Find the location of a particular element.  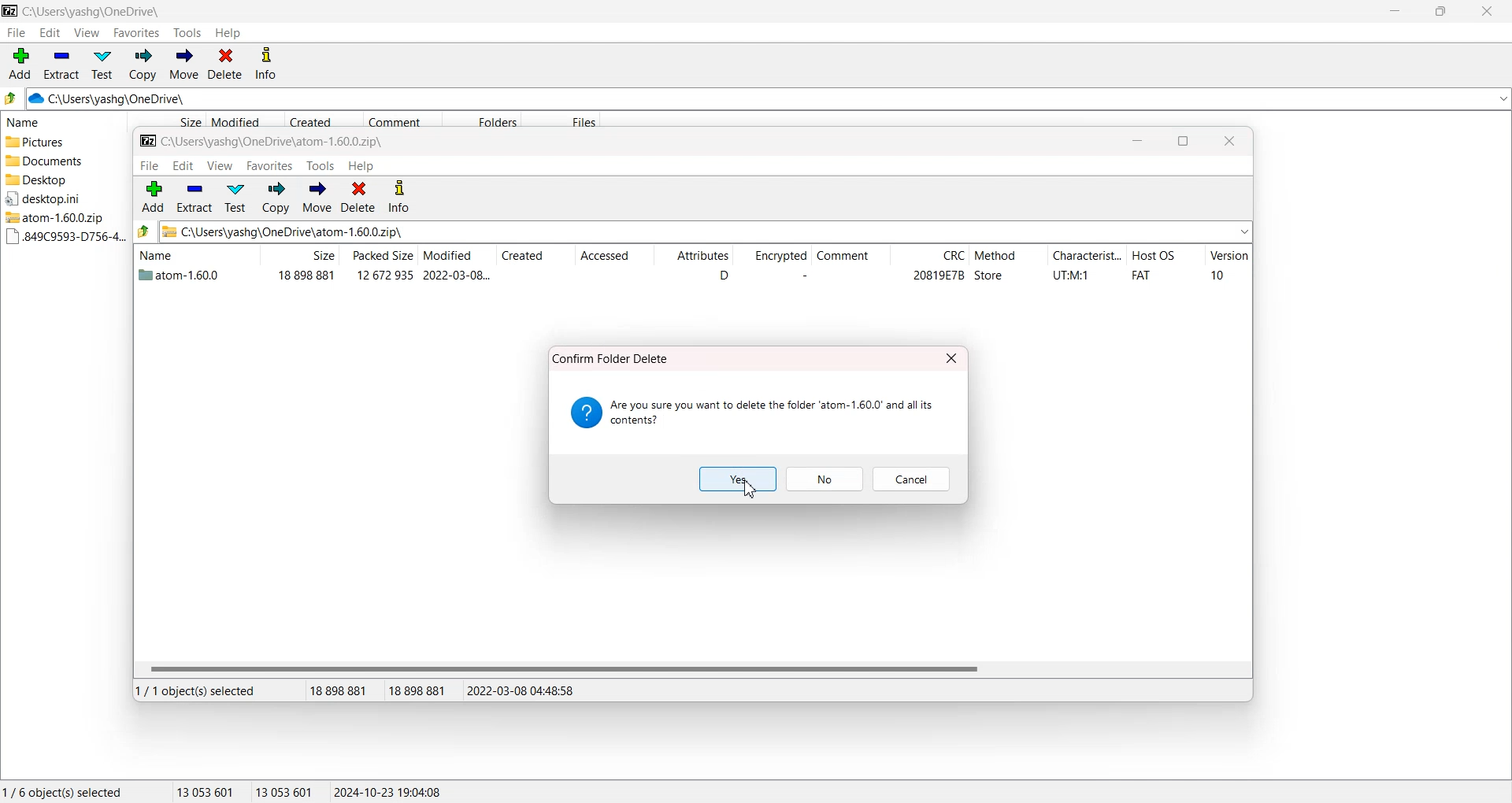

CRC is located at coordinates (929, 257).